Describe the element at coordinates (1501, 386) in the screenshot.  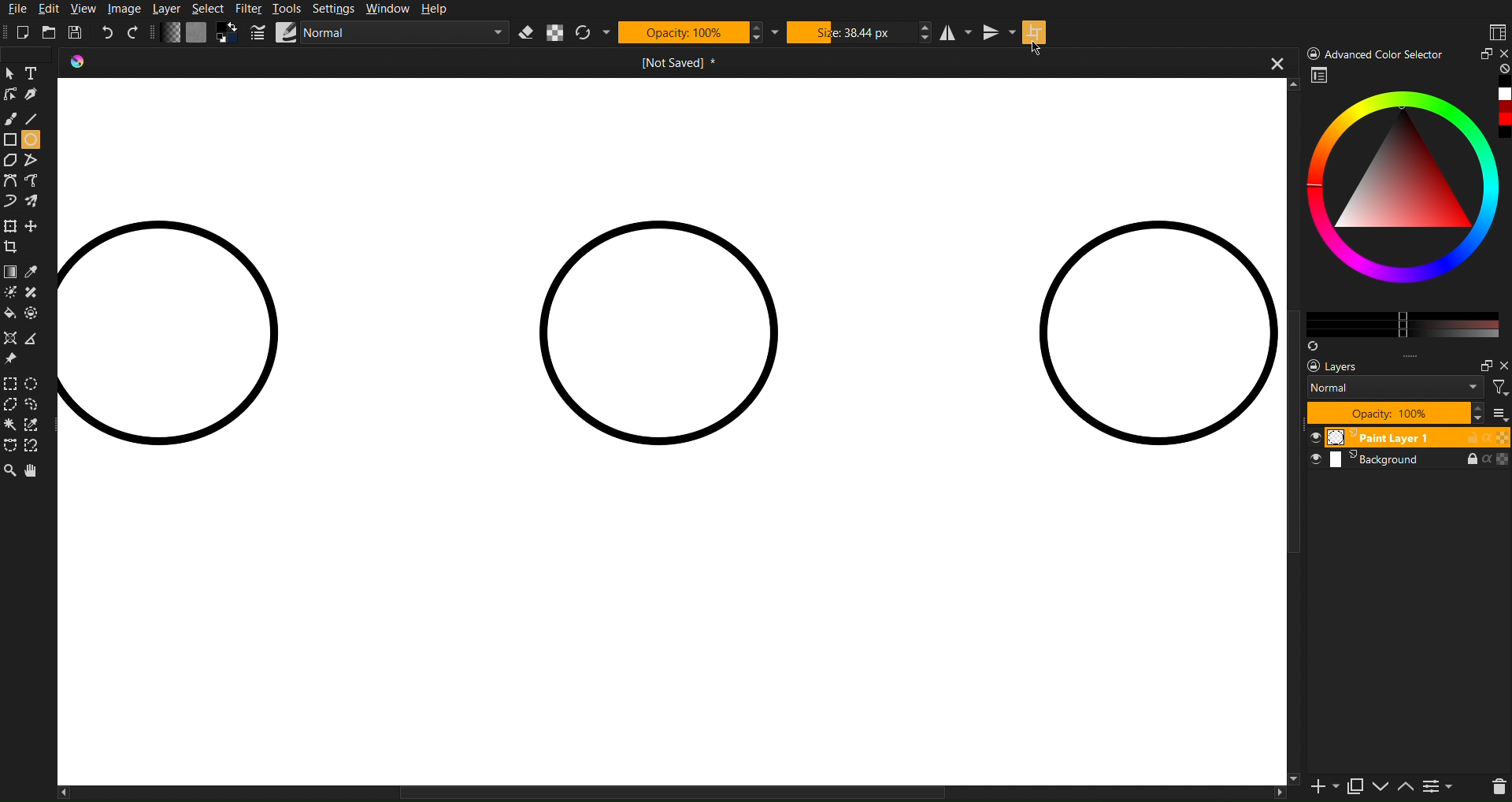
I see `filter` at that location.